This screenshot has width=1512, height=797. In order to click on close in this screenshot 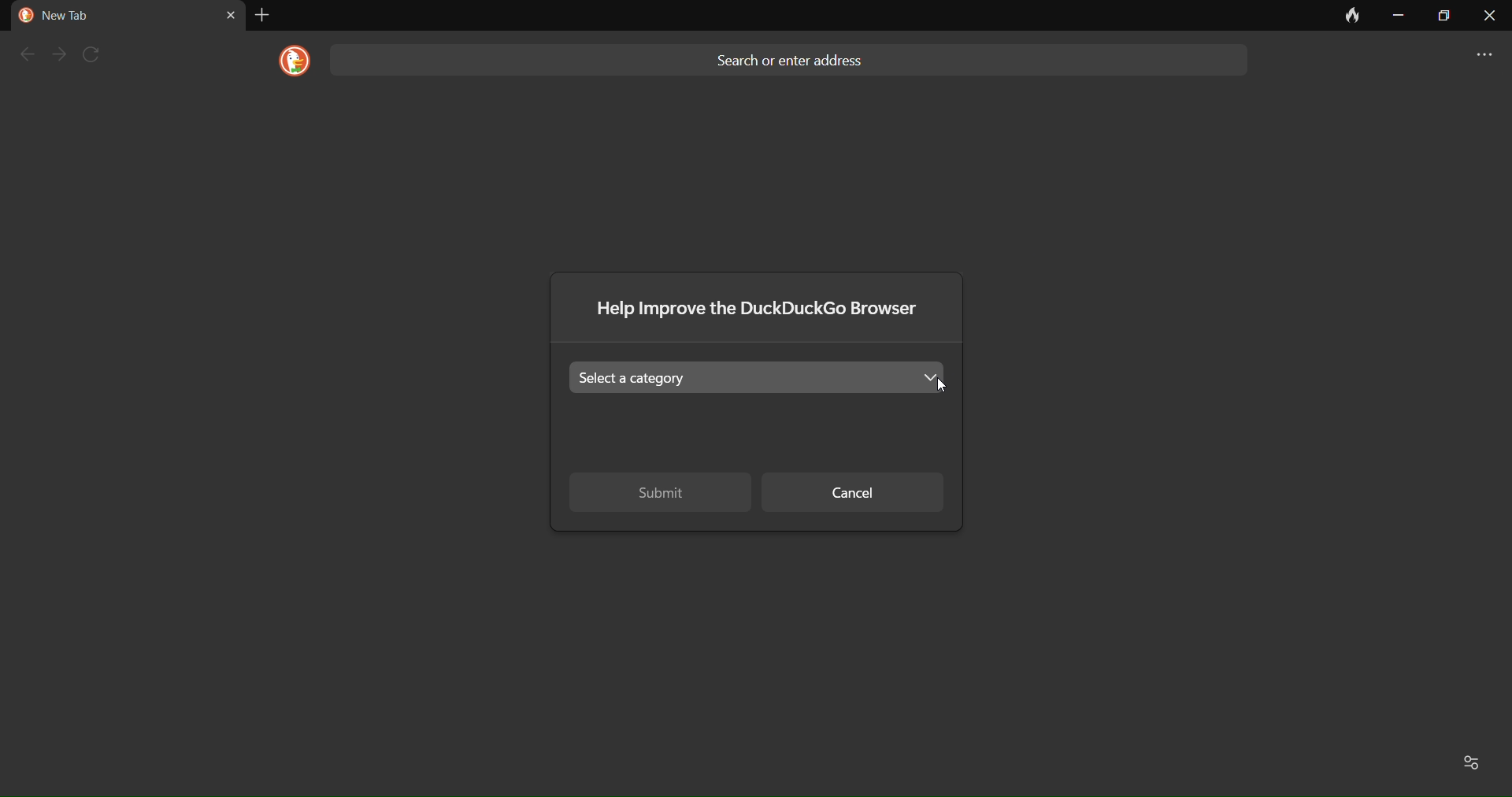, I will do `click(1489, 20)`.